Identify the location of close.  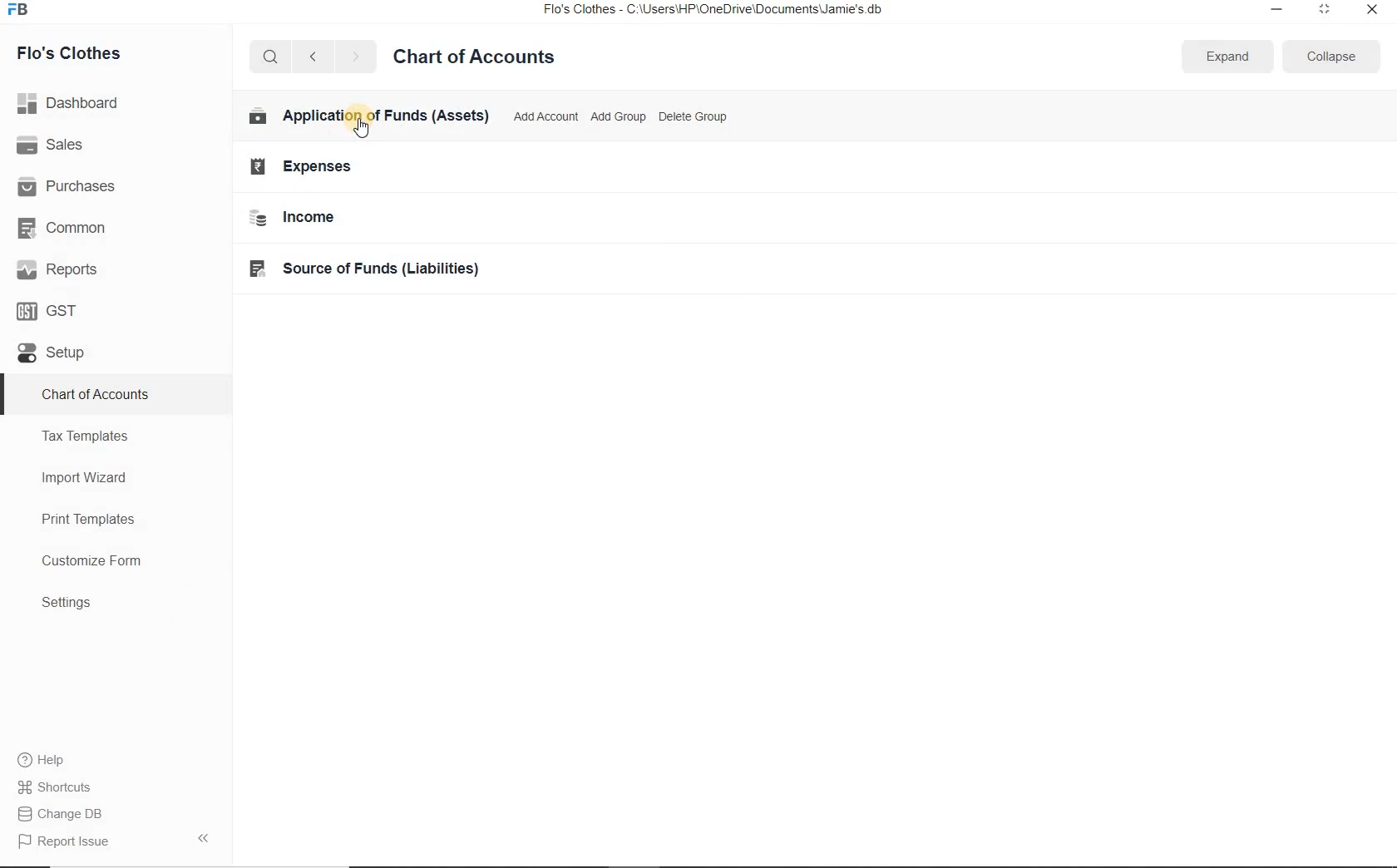
(1371, 8).